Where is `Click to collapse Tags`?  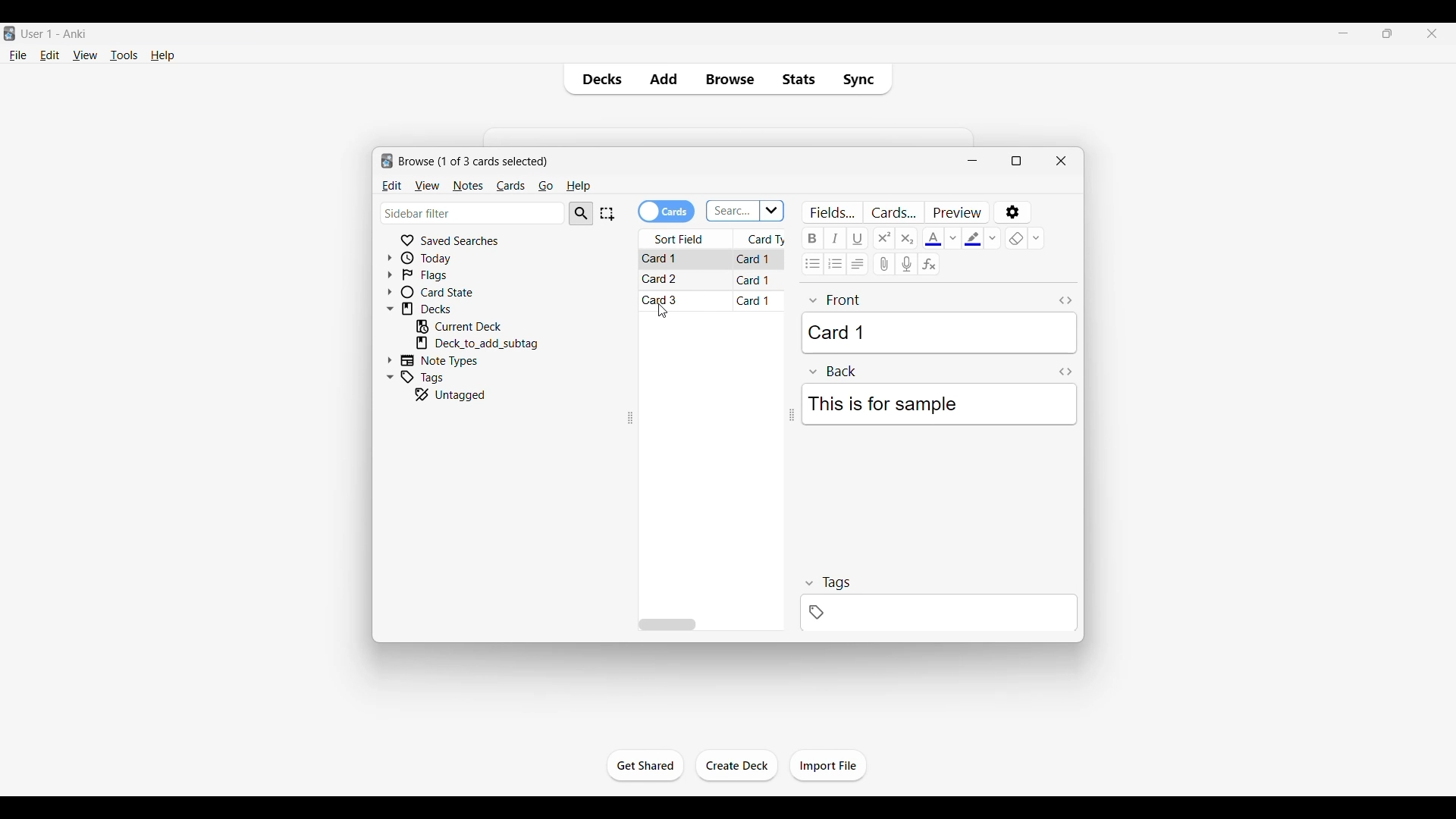
Click to collapse Tags is located at coordinates (390, 377).